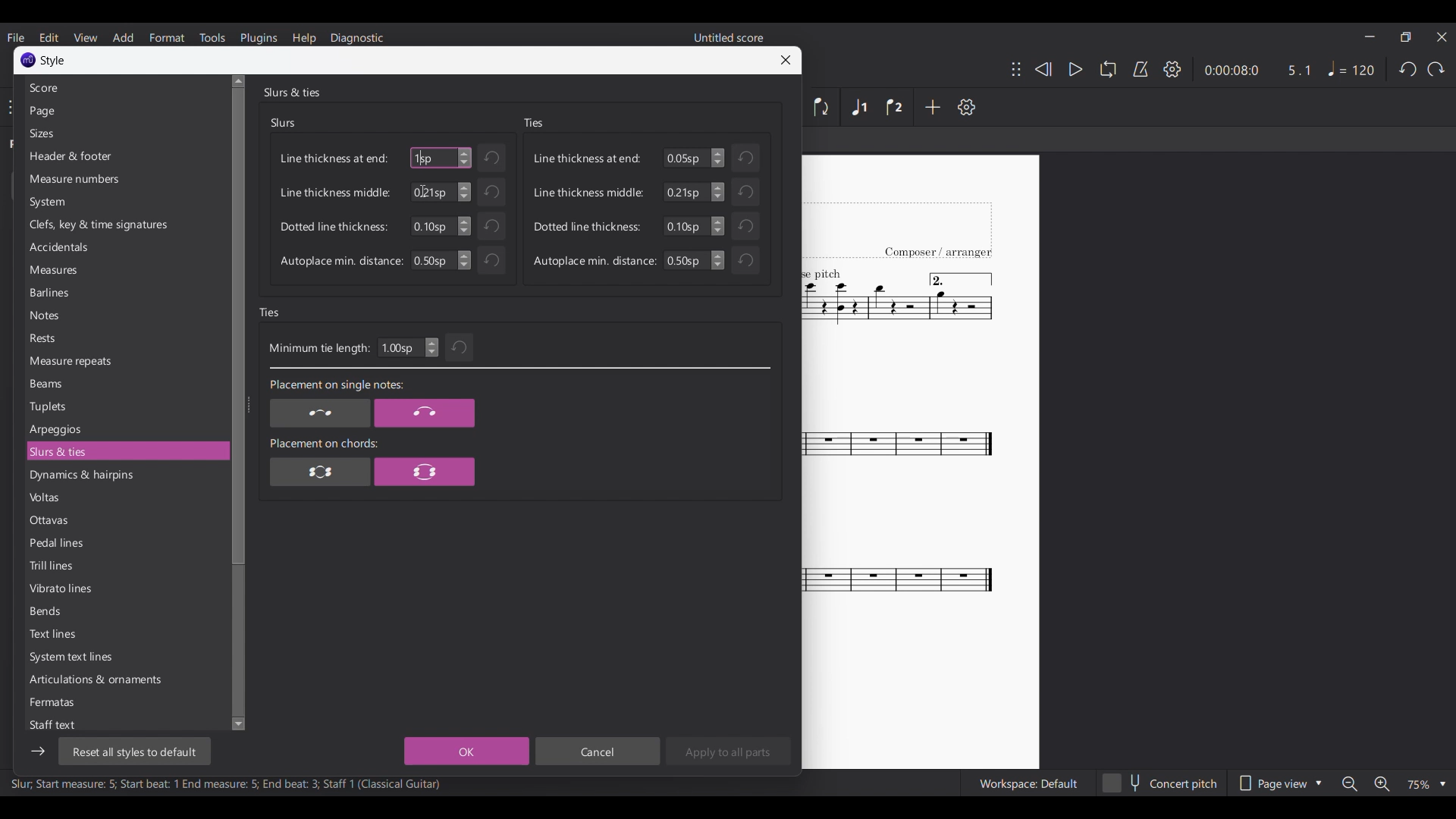  Describe the element at coordinates (125, 361) in the screenshot. I see `Measure repeats` at that location.